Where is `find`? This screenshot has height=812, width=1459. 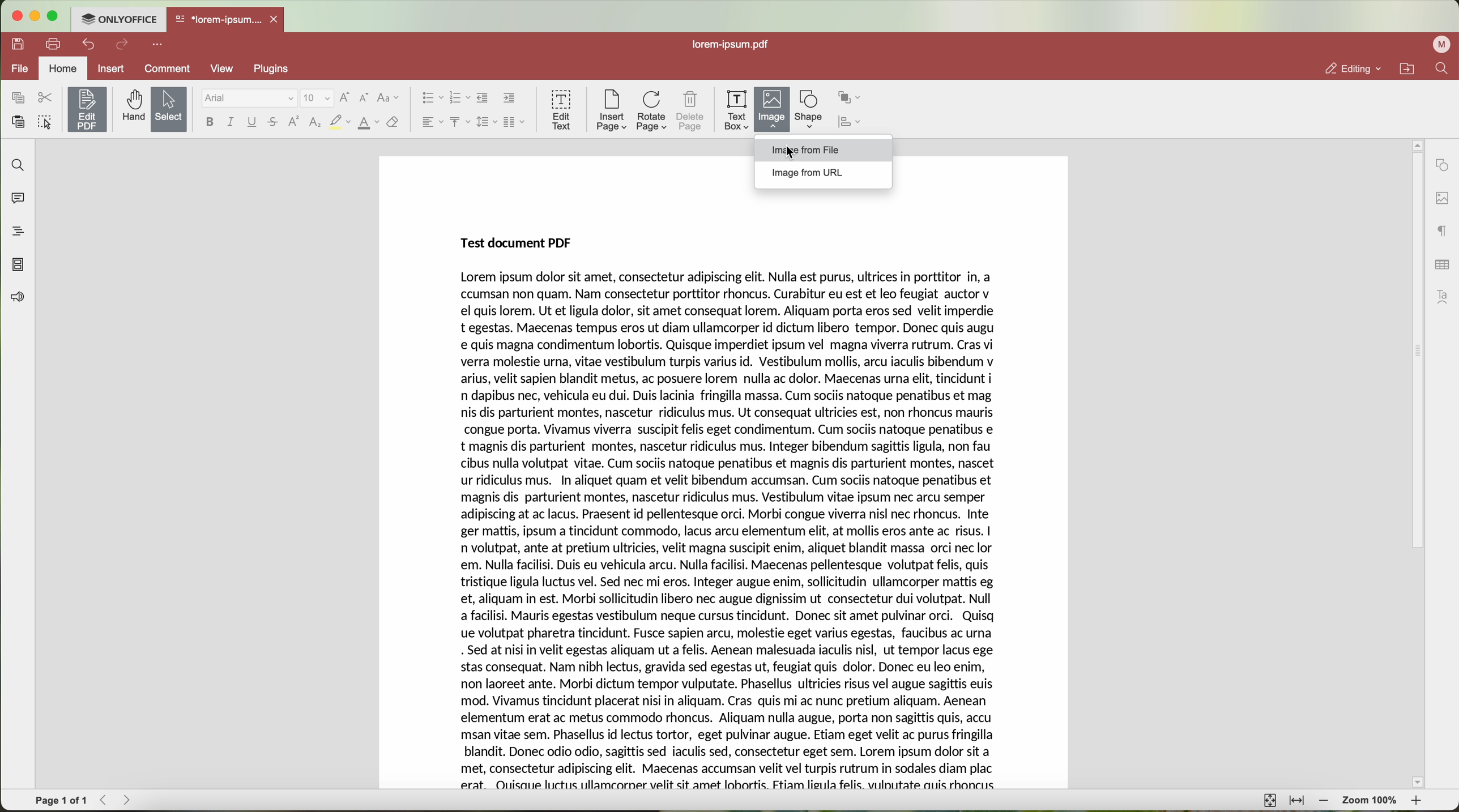 find is located at coordinates (15, 164).